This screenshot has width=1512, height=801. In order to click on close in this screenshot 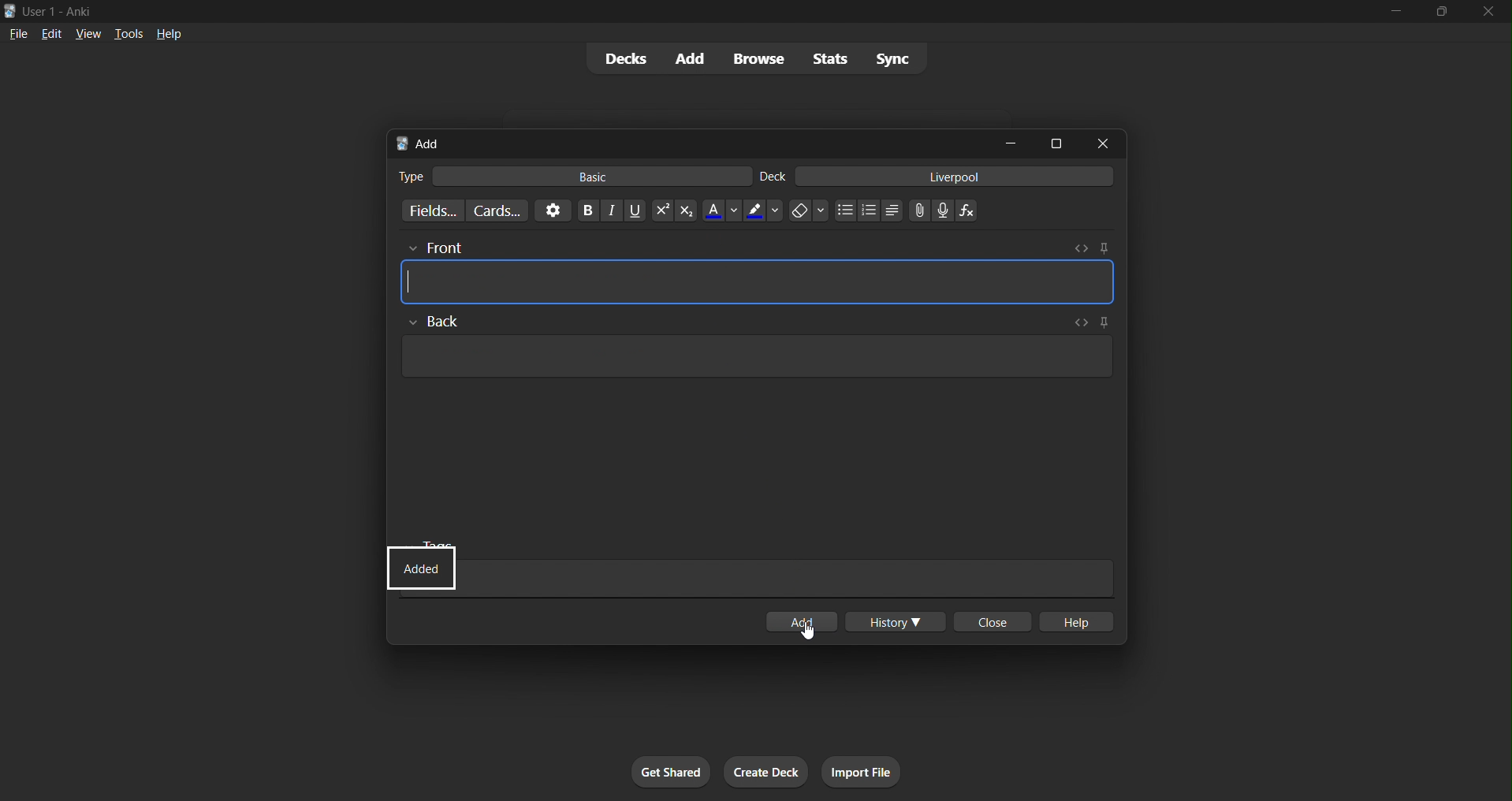, I will do `click(1490, 13)`.